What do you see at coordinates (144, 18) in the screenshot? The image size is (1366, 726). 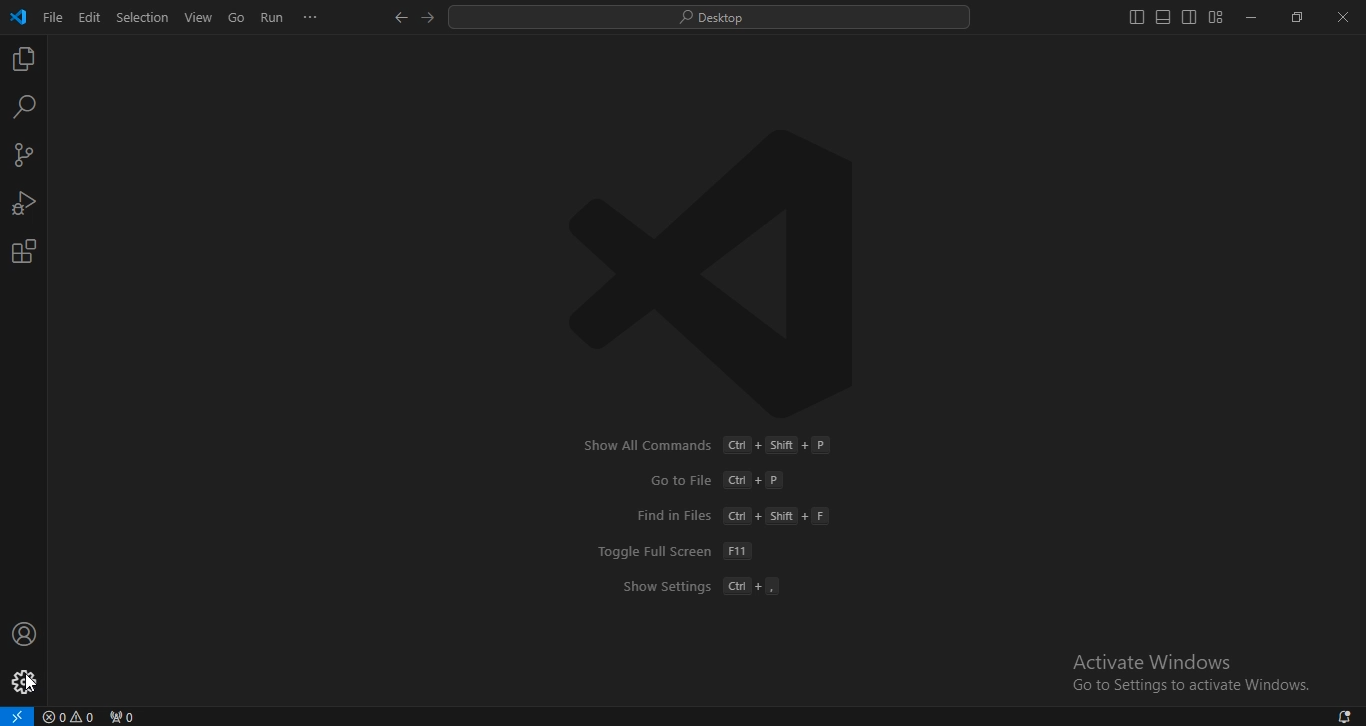 I see `selection` at bounding box center [144, 18].